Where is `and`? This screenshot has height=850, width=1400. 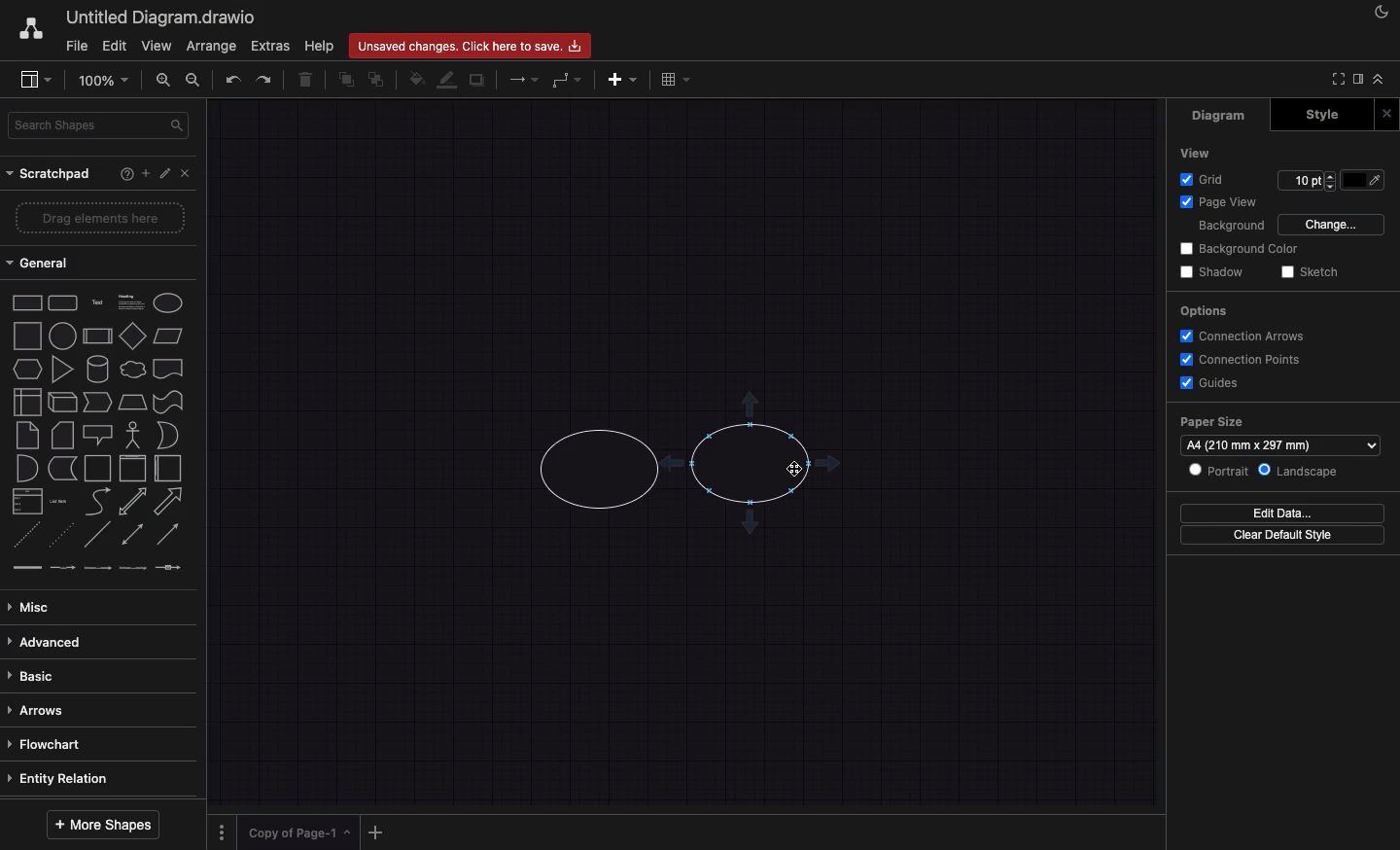
and is located at coordinates (27, 469).